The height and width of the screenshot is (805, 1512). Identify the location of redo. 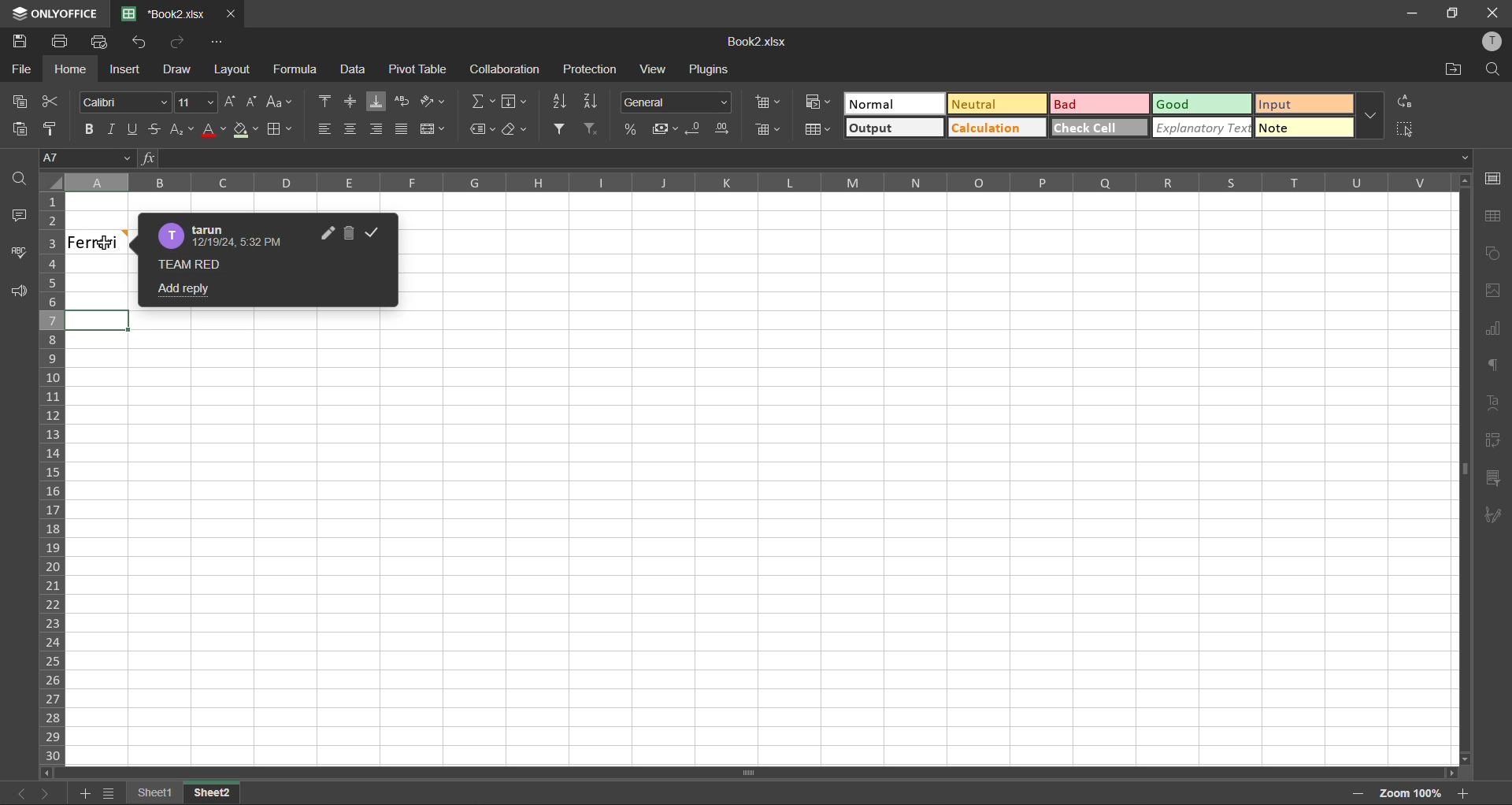
(180, 43).